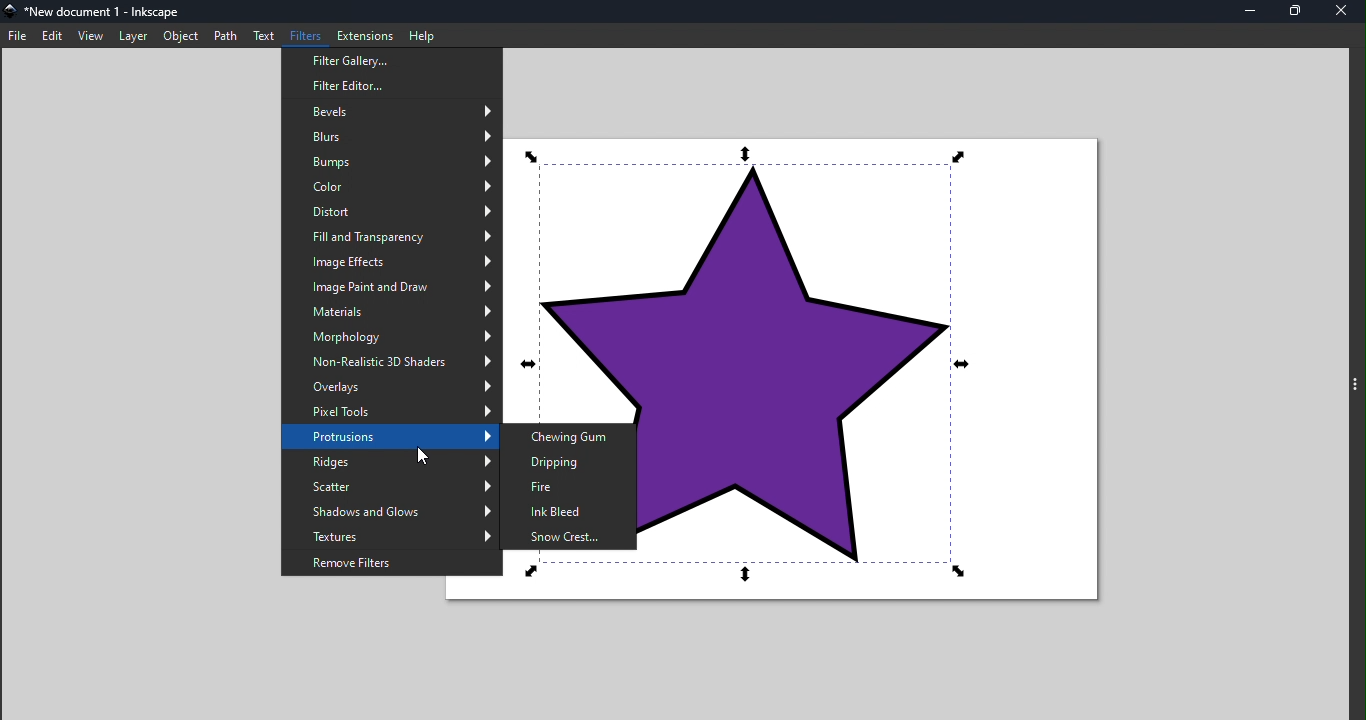 Image resolution: width=1366 pixels, height=720 pixels. What do you see at coordinates (391, 285) in the screenshot?
I see `Image Paint and Draw` at bounding box center [391, 285].